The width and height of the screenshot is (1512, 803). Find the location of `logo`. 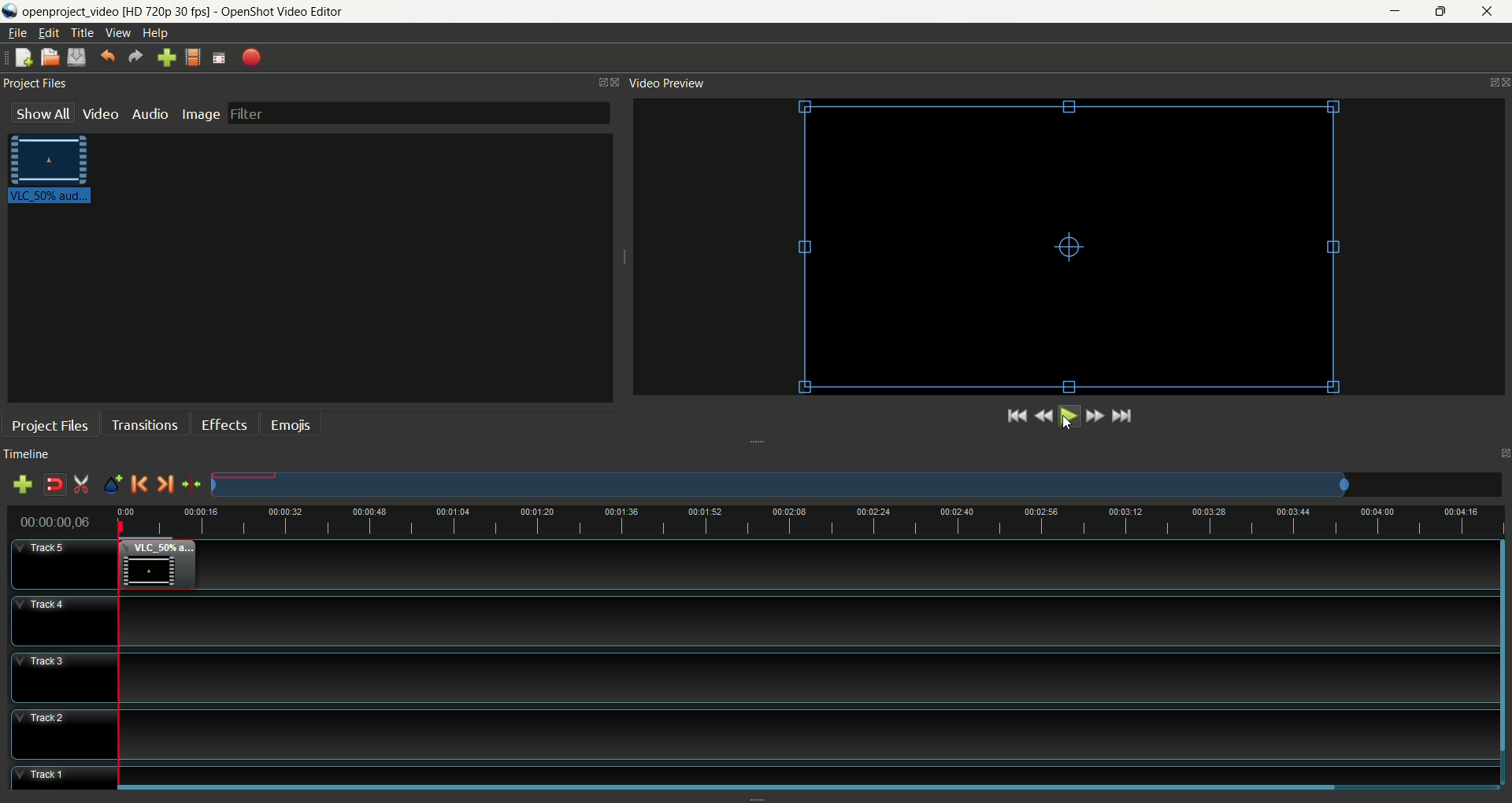

logo is located at coordinates (10, 11).